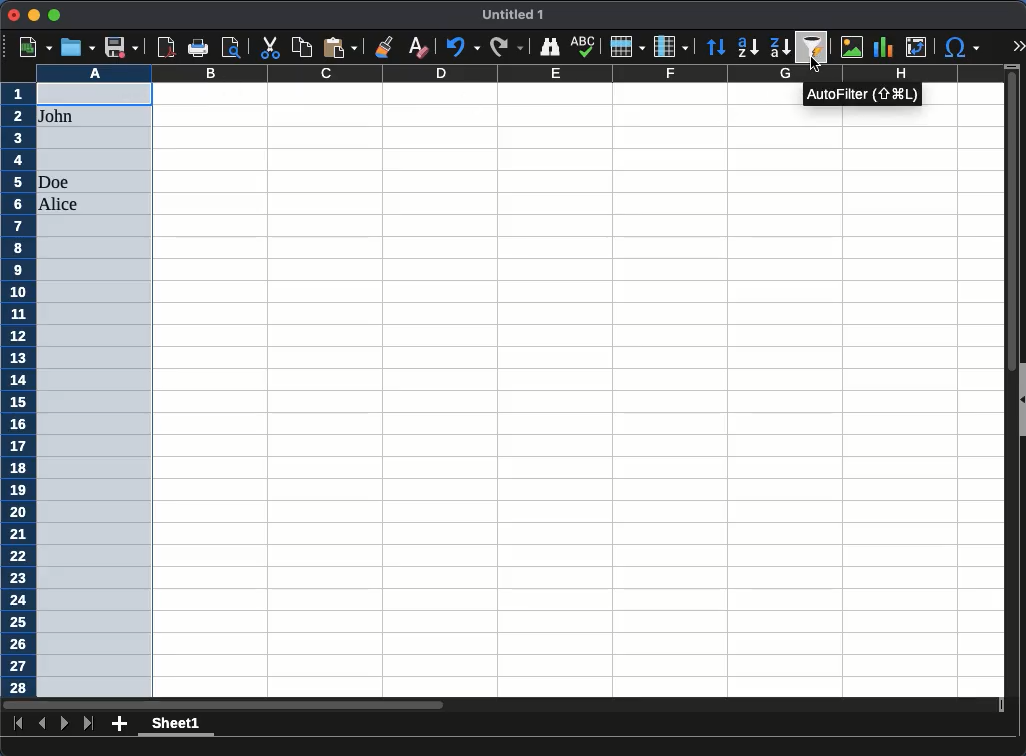 This screenshot has width=1026, height=756. Describe the element at coordinates (14, 15) in the screenshot. I see `close` at that location.